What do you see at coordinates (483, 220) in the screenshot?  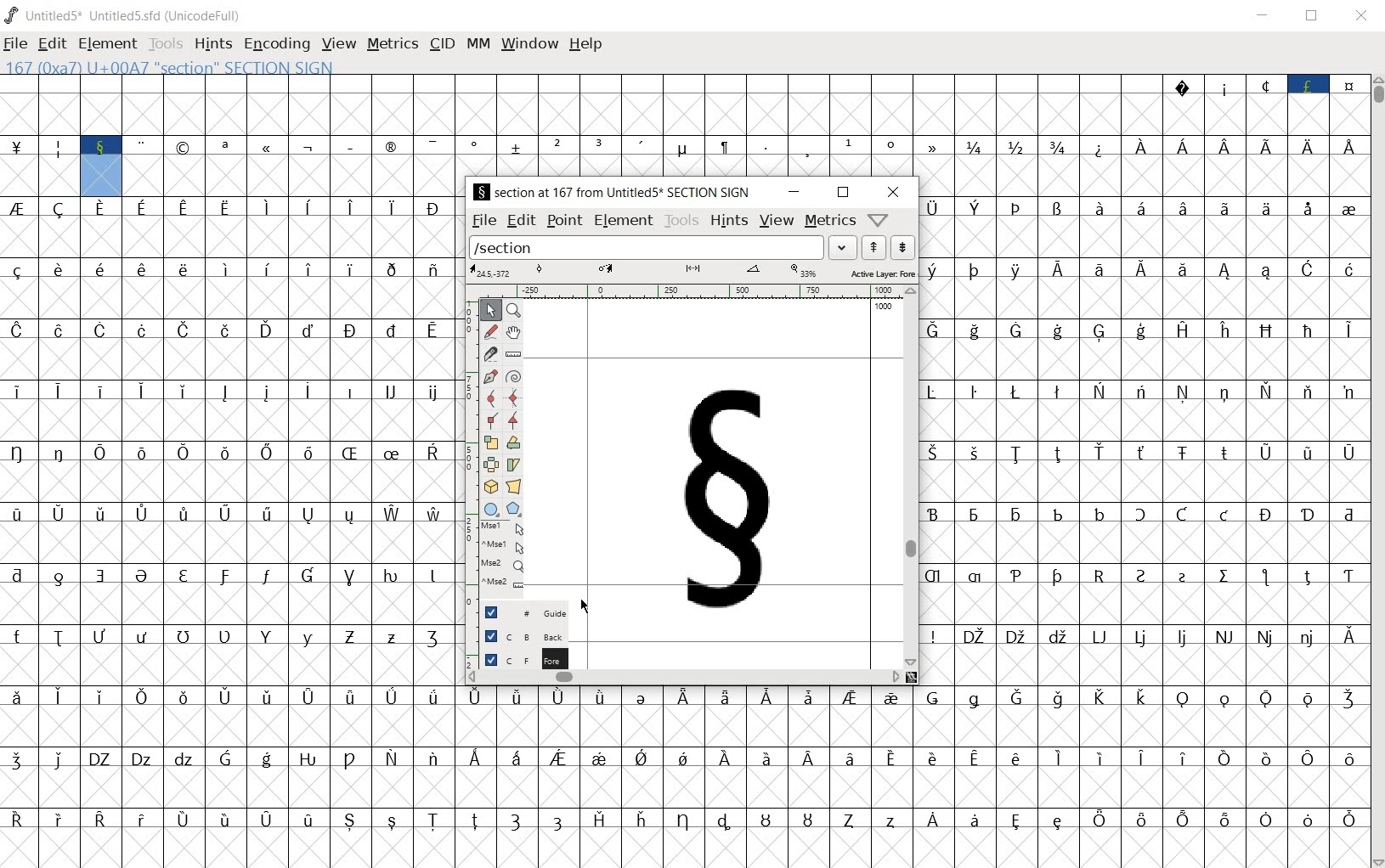 I see `file` at bounding box center [483, 220].